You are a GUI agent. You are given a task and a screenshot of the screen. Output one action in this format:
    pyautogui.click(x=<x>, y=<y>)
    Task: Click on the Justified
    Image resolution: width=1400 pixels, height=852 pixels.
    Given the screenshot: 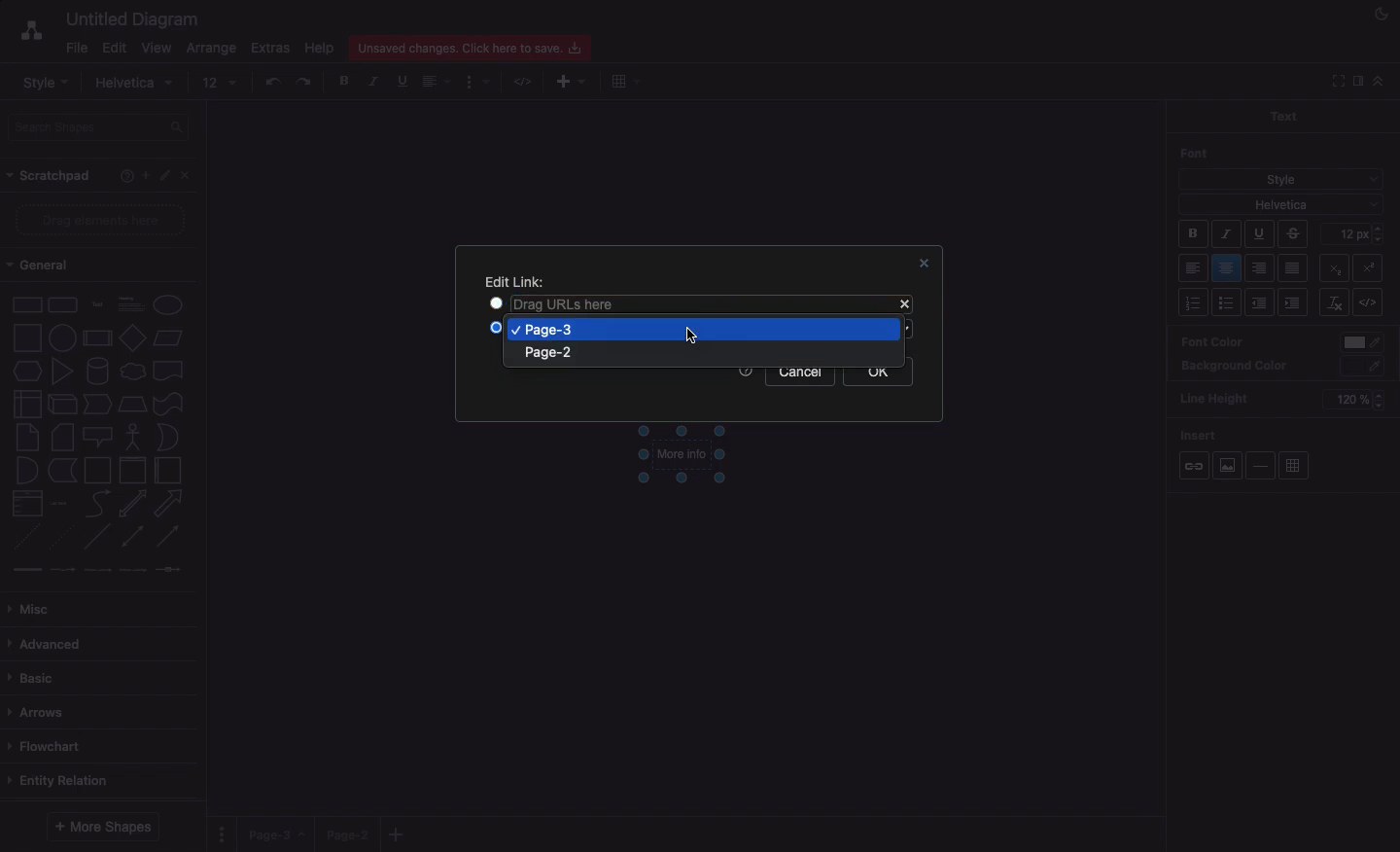 What is the action you would take?
    pyautogui.click(x=1294, y=269)
    